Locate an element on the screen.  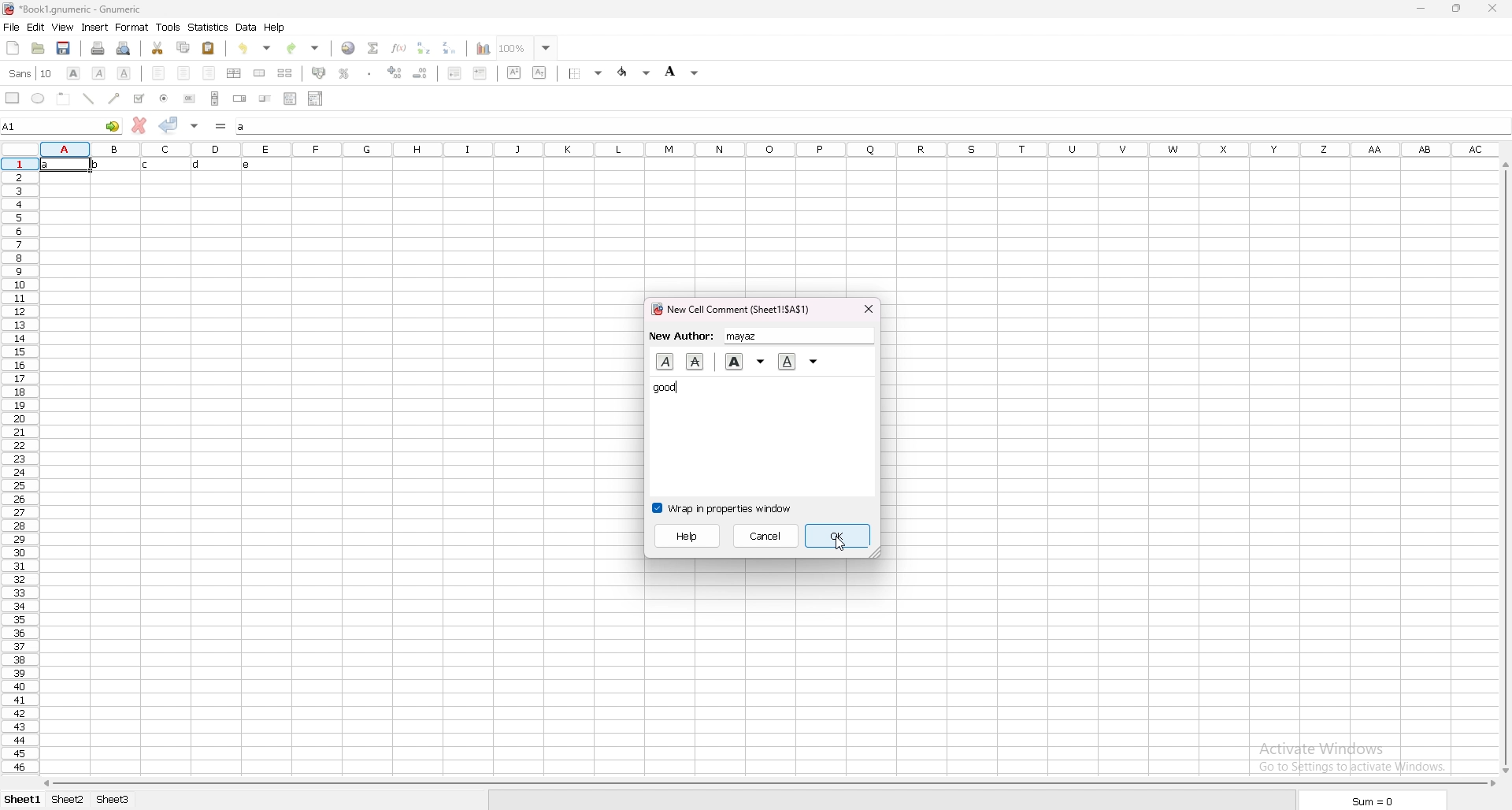
scroll bar is located at coordinates (215, 98).